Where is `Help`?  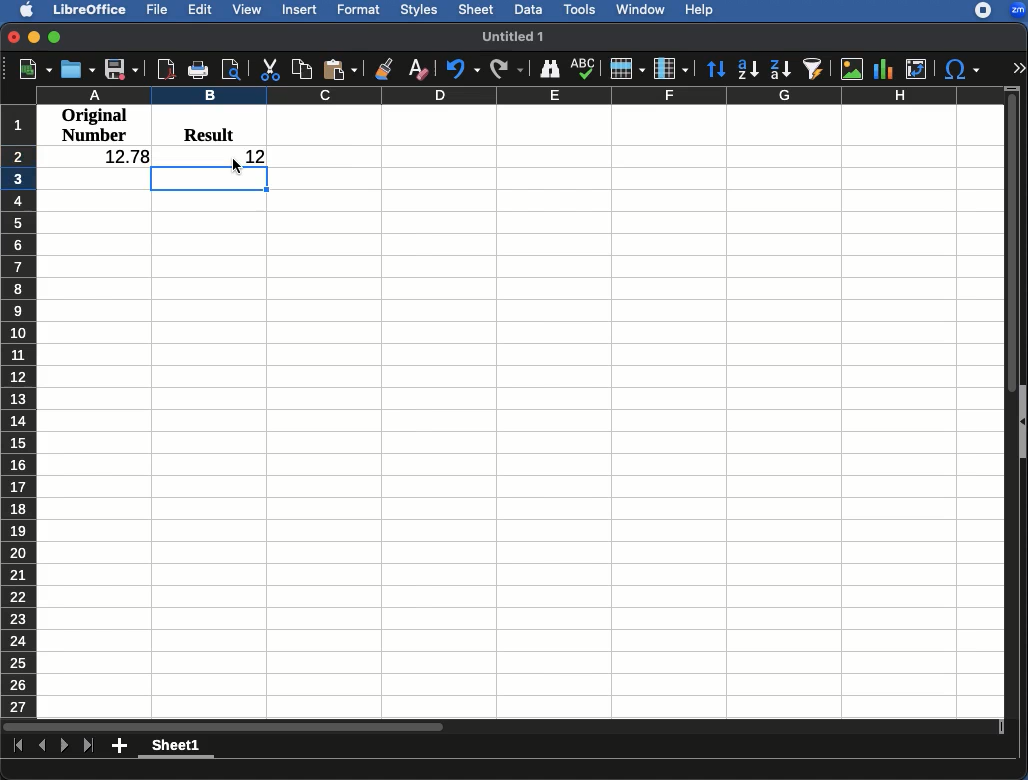
Help is located at coordinates (700, 11).